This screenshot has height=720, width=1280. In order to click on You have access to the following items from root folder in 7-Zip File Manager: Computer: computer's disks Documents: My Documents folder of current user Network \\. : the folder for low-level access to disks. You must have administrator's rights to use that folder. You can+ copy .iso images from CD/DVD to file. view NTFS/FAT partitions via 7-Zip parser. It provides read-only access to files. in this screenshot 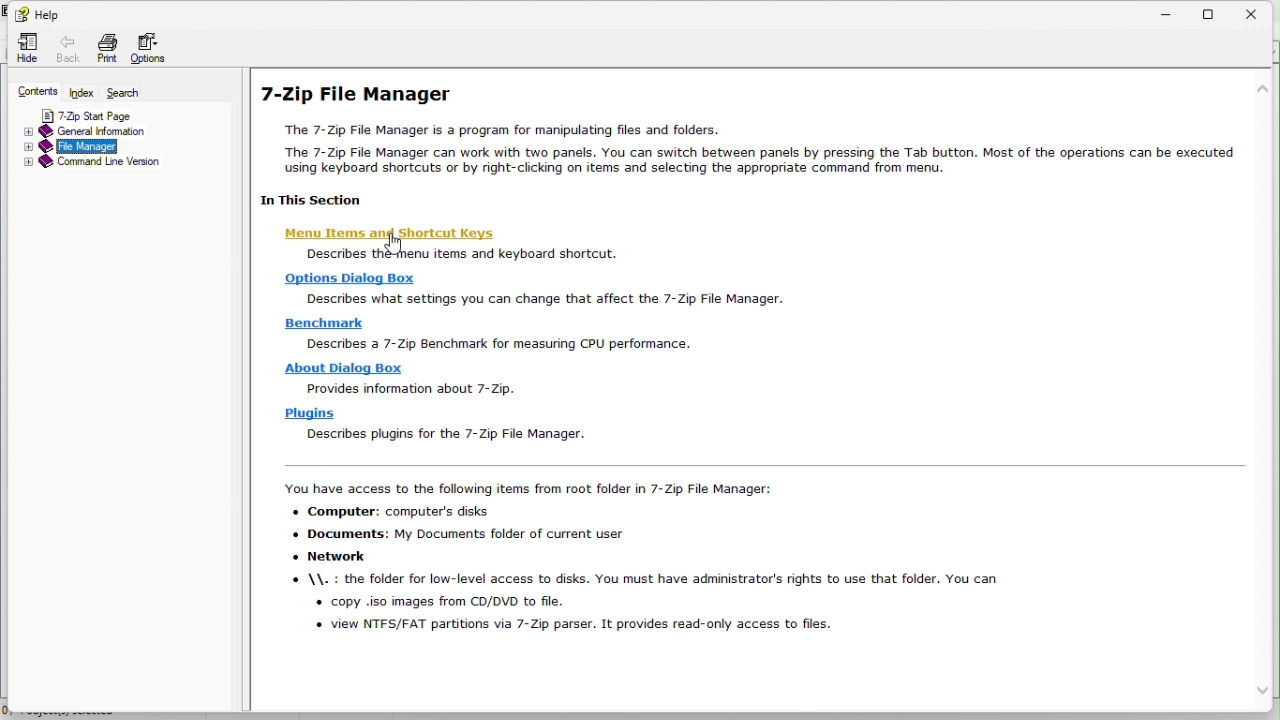, I will do `click(671, 568)`.